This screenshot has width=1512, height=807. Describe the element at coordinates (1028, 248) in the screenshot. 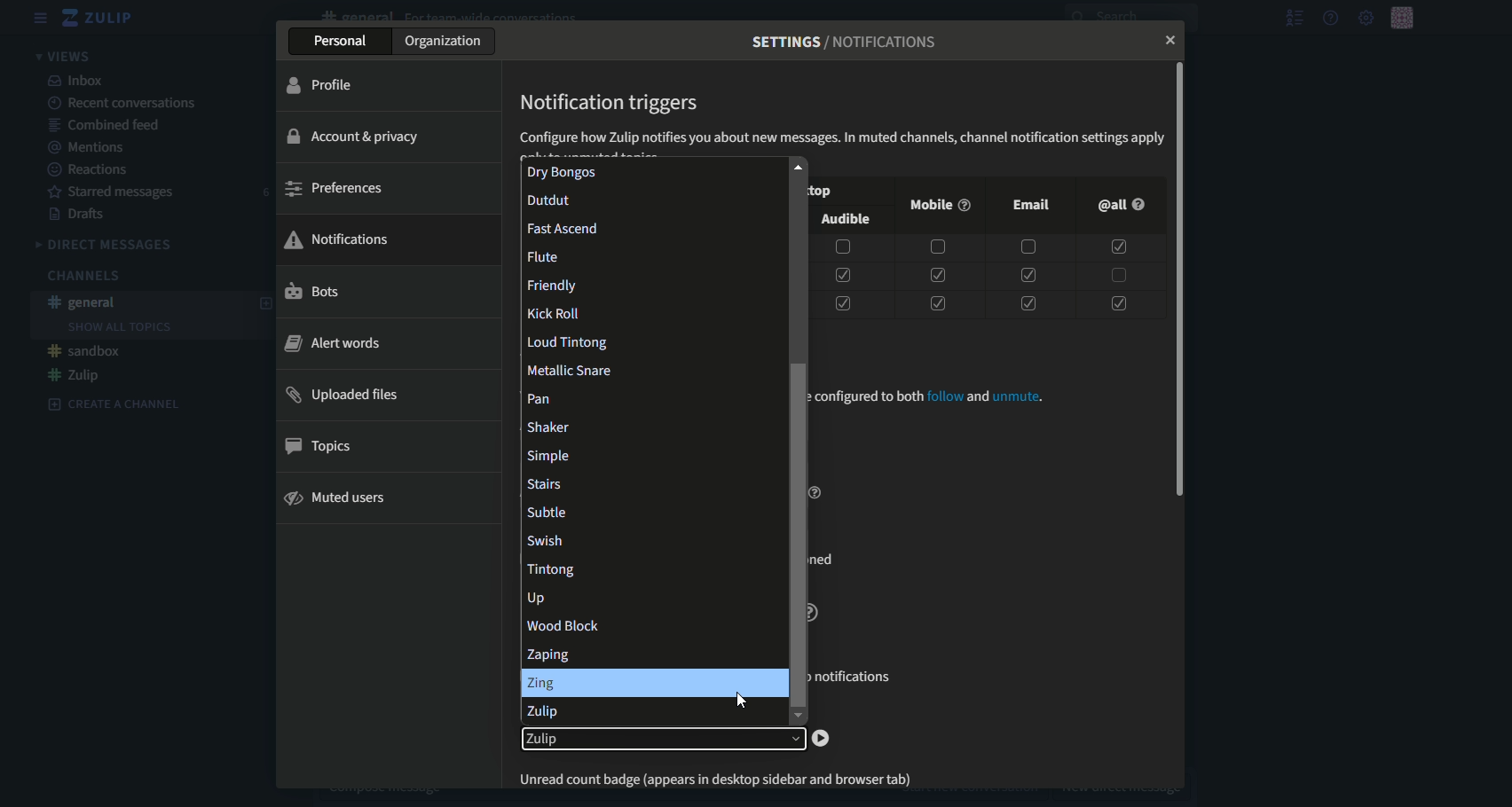

I see `checkbox` at that location.